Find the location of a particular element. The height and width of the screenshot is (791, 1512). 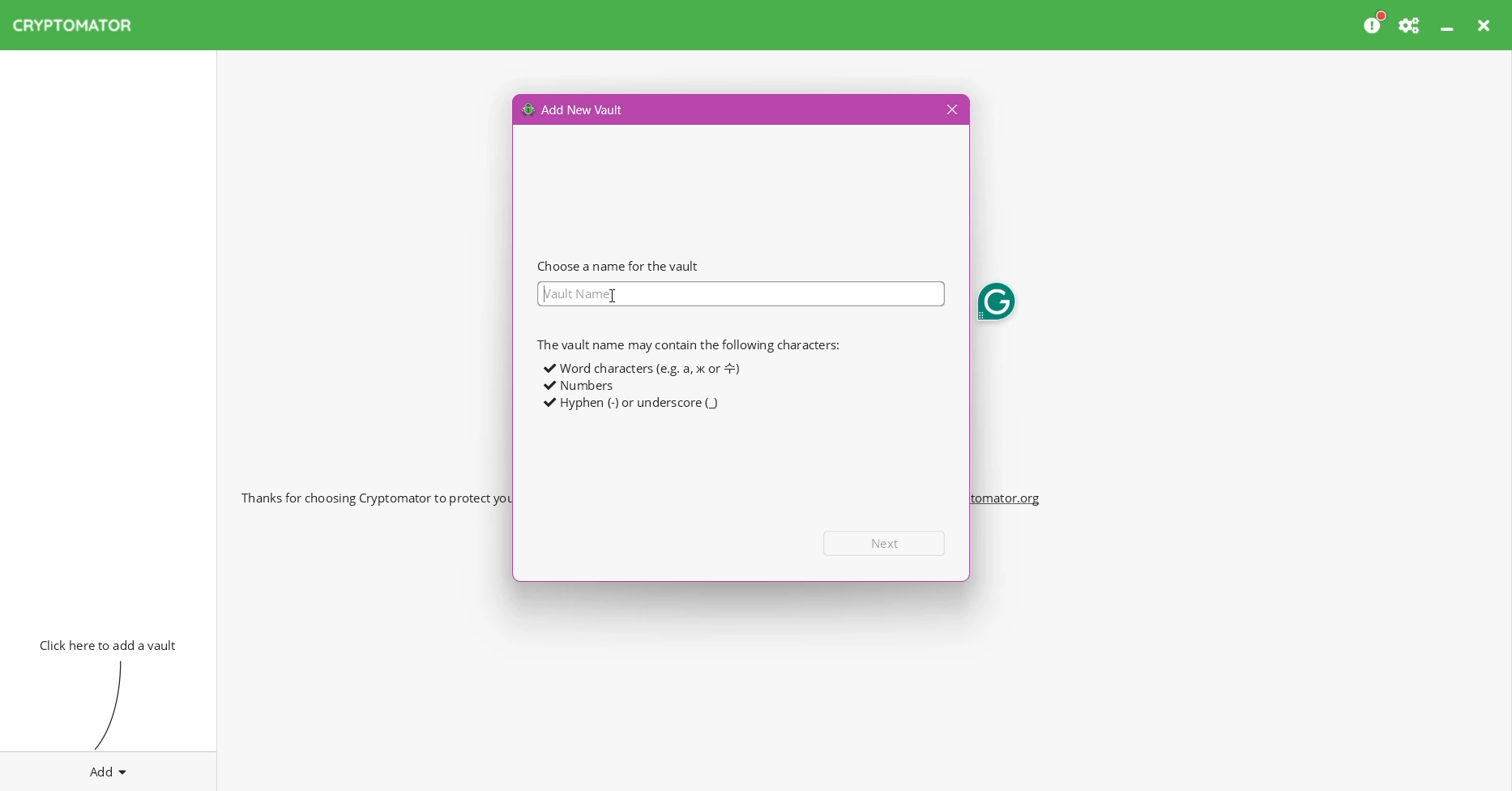

Add is located at coordinates (109, 768).